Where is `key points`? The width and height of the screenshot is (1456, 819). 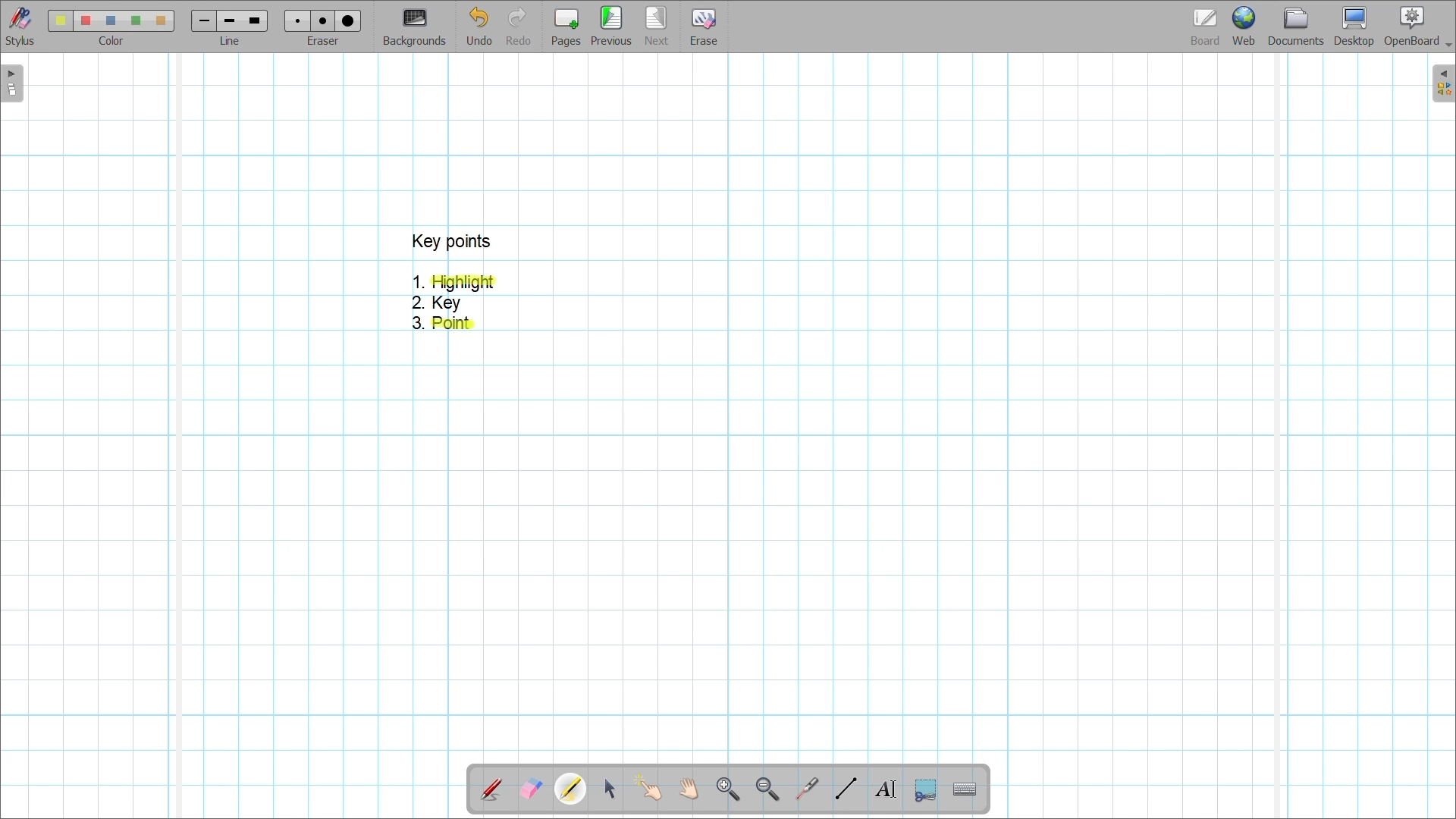 key points is located at coordinates (450, 241).